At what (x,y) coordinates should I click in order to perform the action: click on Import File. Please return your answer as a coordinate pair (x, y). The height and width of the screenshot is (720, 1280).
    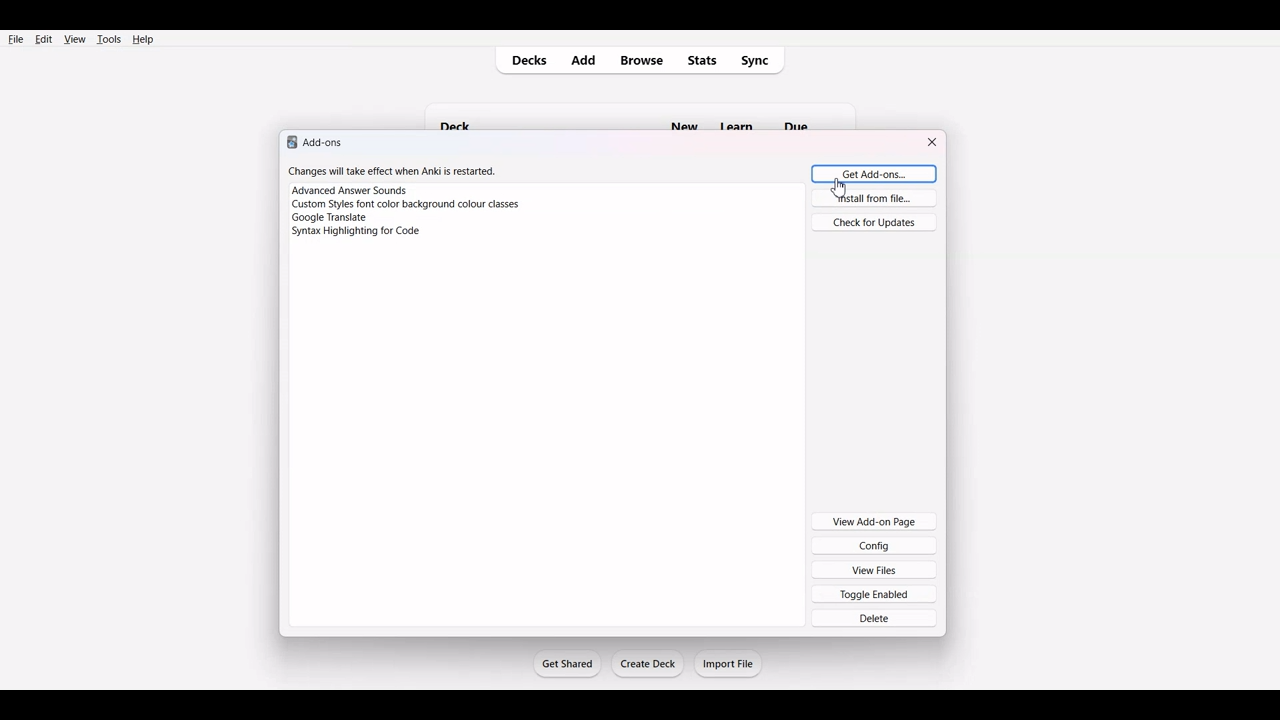
    Looking at the image, I should click on (729, 663).